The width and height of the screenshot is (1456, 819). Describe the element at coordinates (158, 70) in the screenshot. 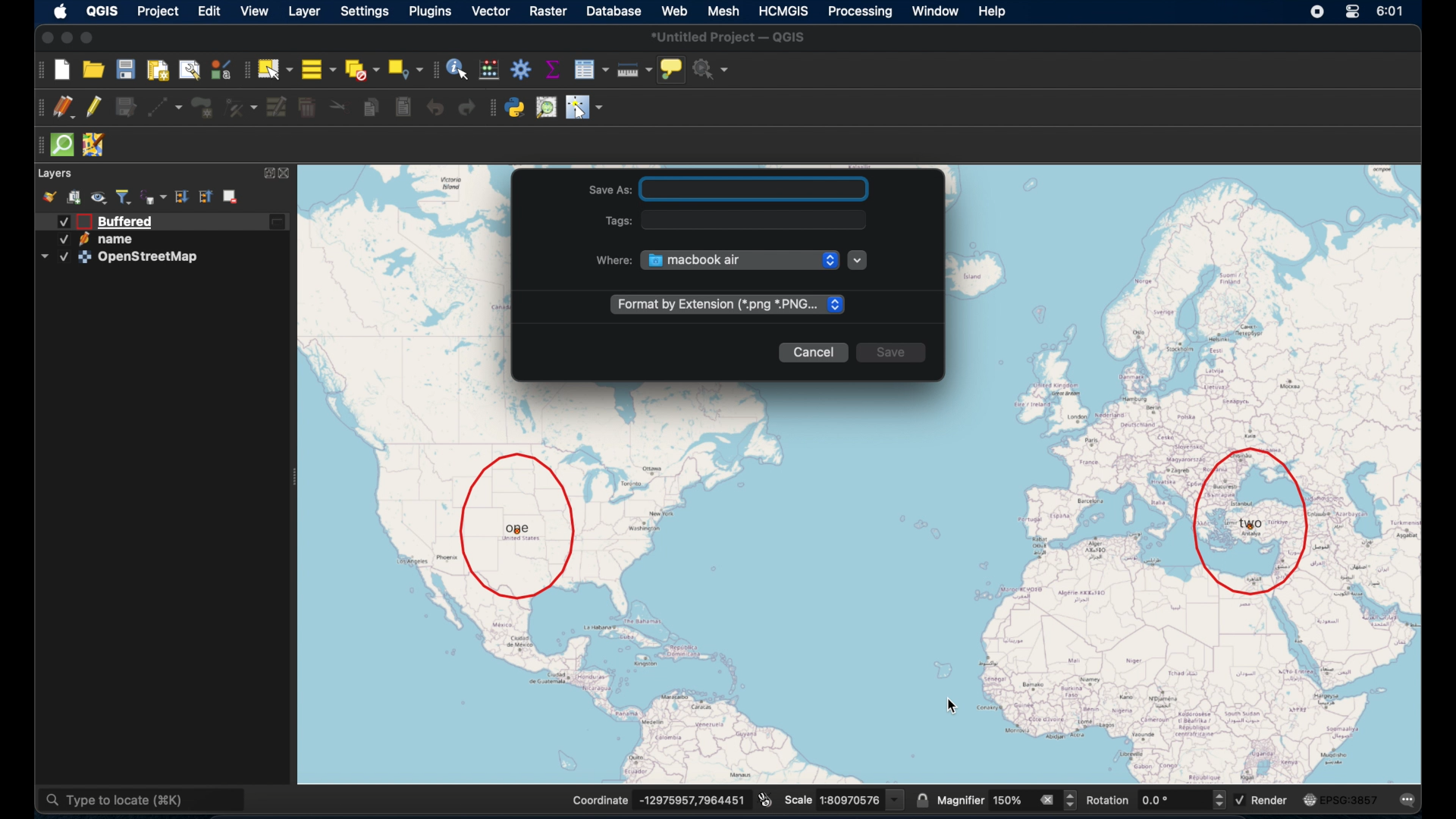

I see `print layout` at that location.